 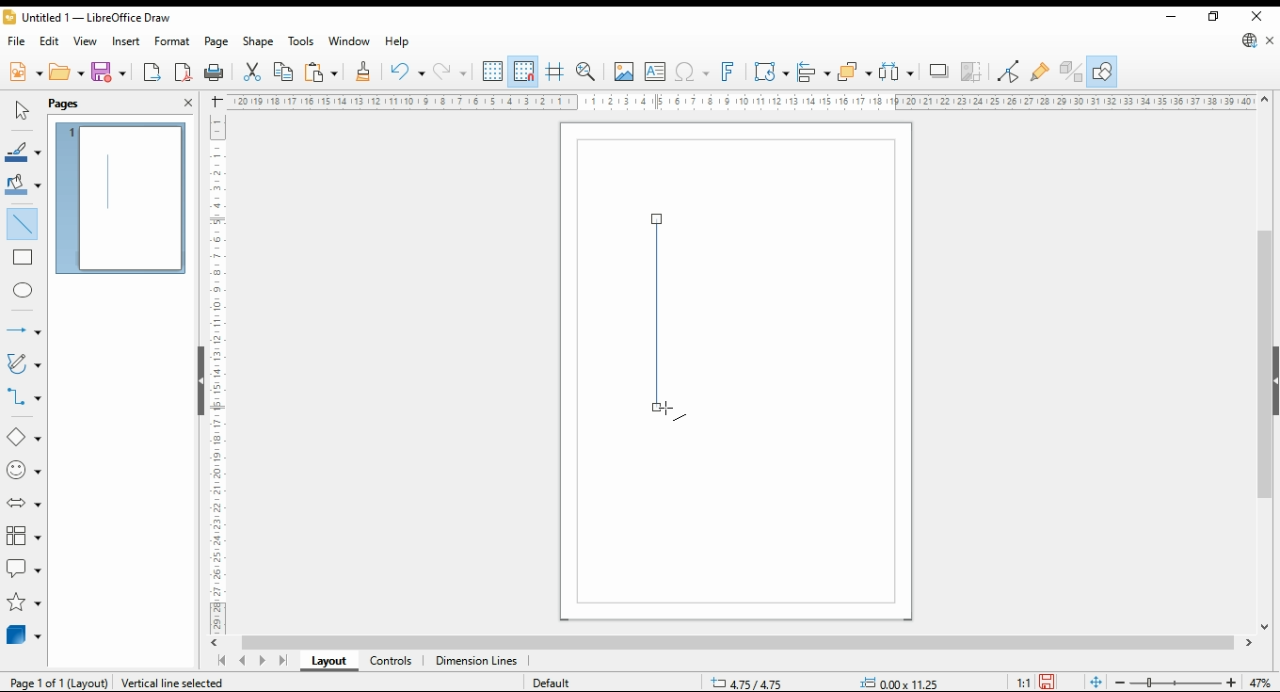 What do you see at coordinates (22, 153) in the screenshot?
I see `line color` at bounding box center [22, 153].